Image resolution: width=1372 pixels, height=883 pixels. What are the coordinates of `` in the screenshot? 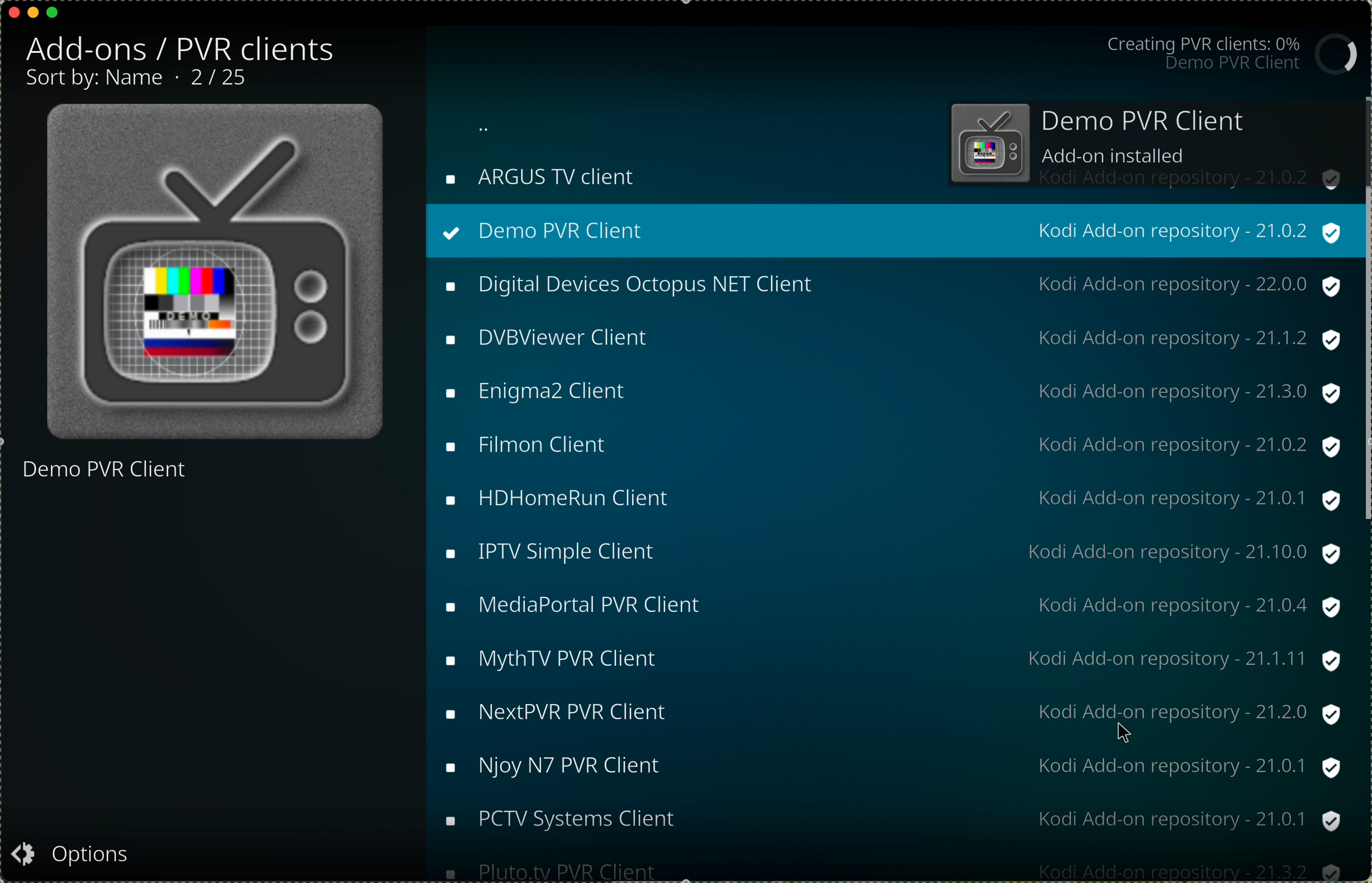 It's located at (889, 658).